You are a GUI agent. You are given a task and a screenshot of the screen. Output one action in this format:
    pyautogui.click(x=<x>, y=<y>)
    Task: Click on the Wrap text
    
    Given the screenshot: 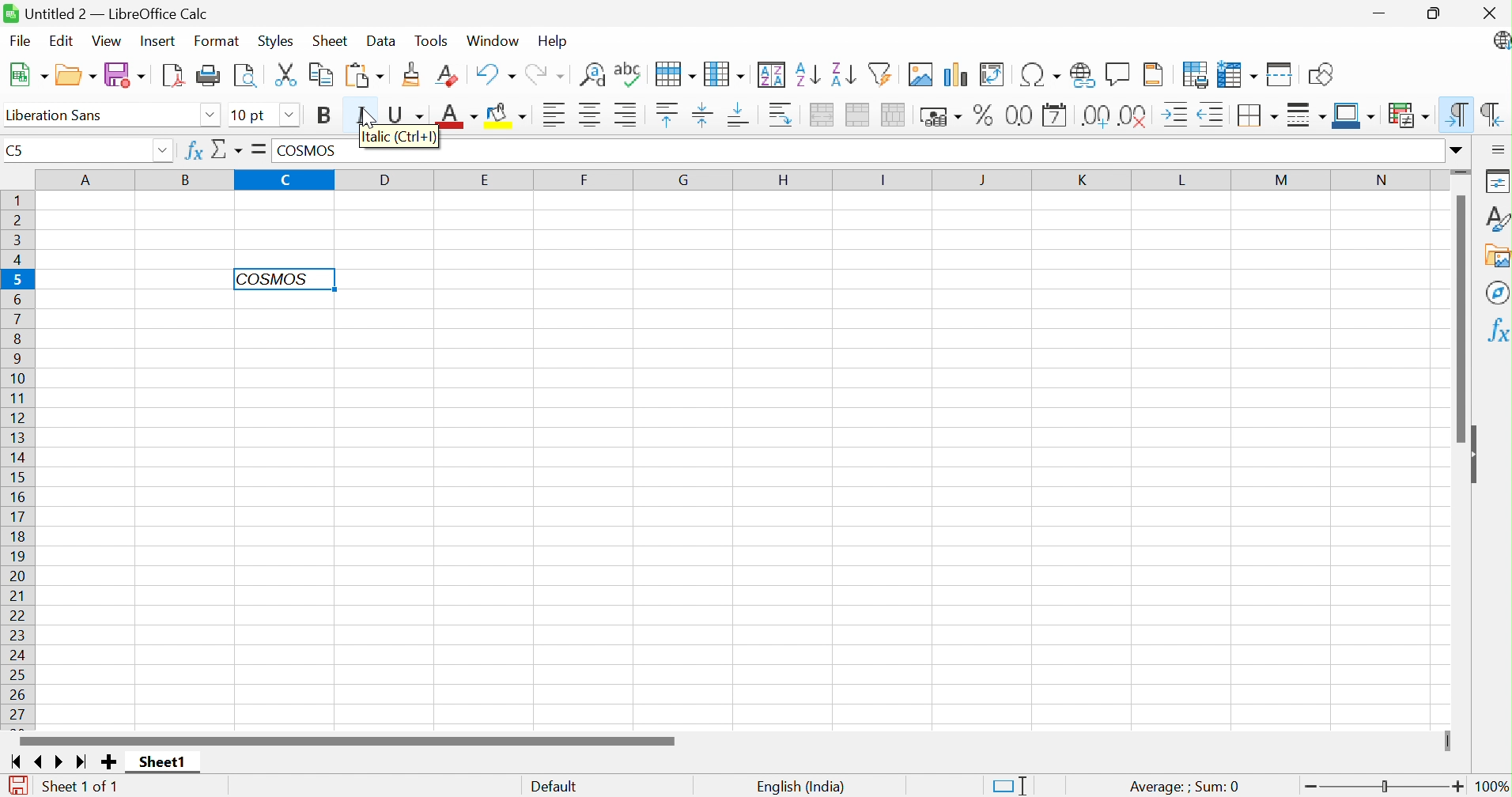 What is the action you would take?
    pyautogui.click(x=781, y=115)
    